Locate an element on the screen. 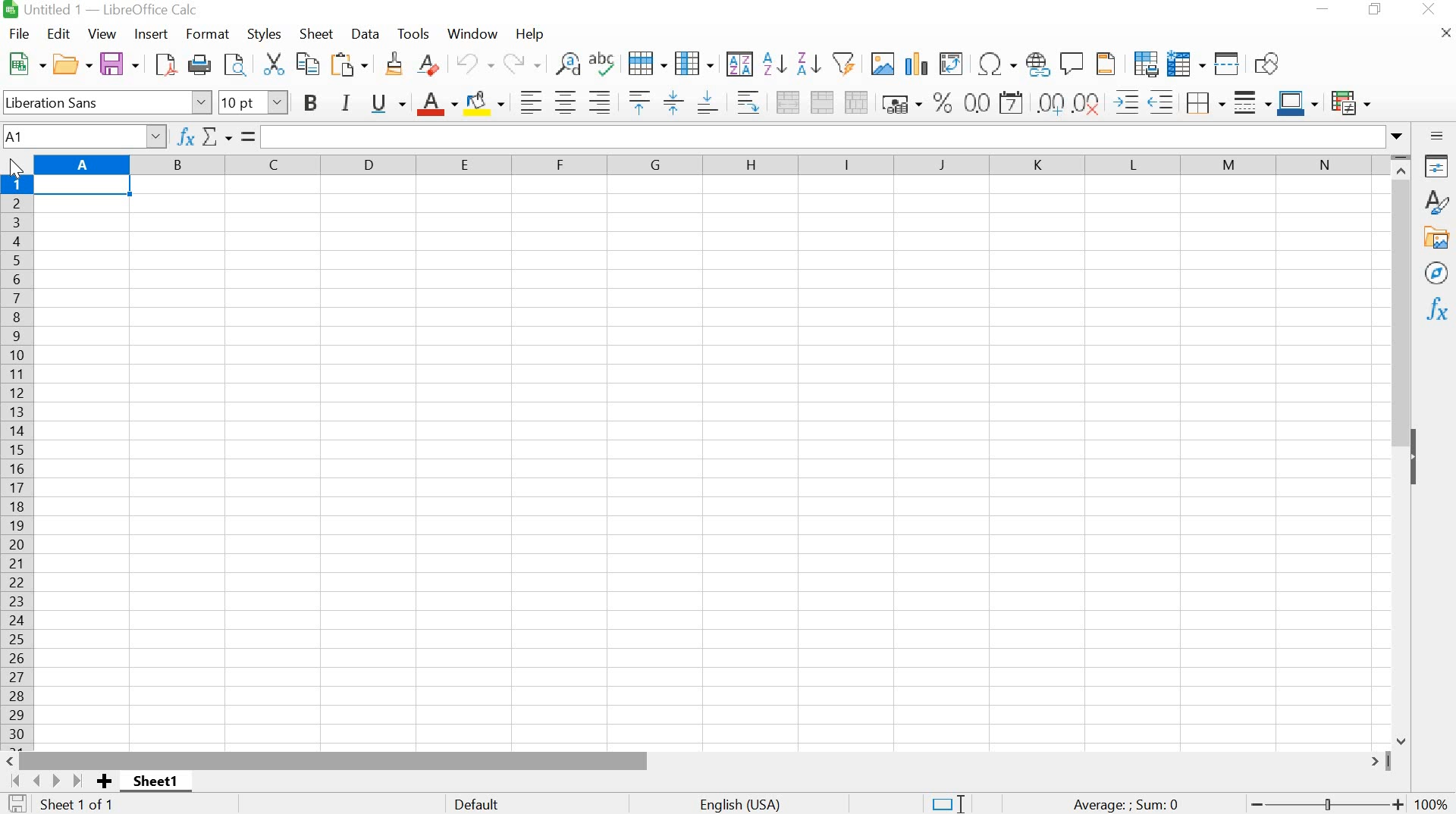 The image size is (1456, 814). Paste is located at coordinates (350, 63).